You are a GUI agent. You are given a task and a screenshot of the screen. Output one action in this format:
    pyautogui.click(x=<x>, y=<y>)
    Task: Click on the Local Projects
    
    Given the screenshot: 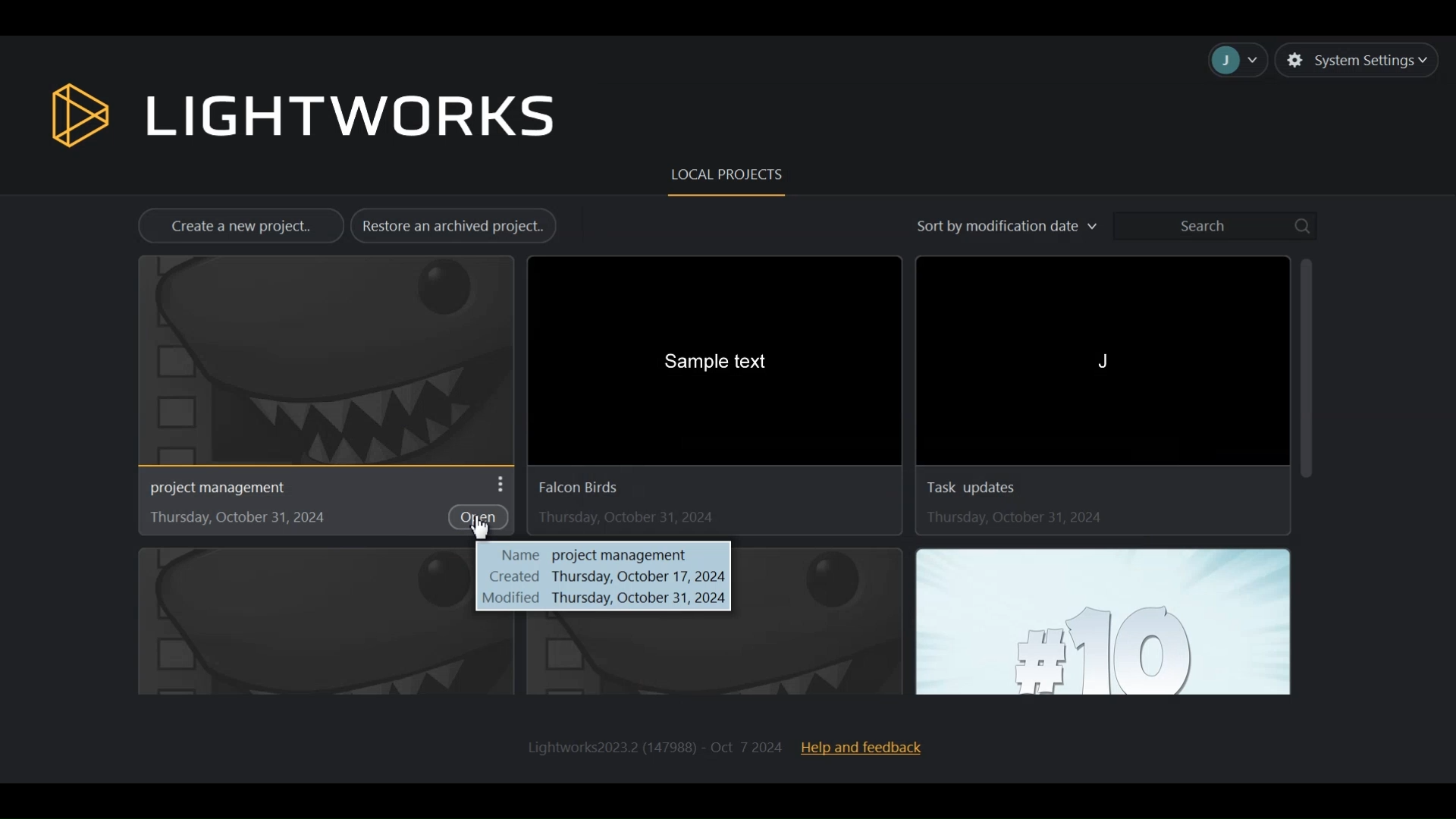 What is the action you would take?
    pyautogui.click(x=726, y=174)
    